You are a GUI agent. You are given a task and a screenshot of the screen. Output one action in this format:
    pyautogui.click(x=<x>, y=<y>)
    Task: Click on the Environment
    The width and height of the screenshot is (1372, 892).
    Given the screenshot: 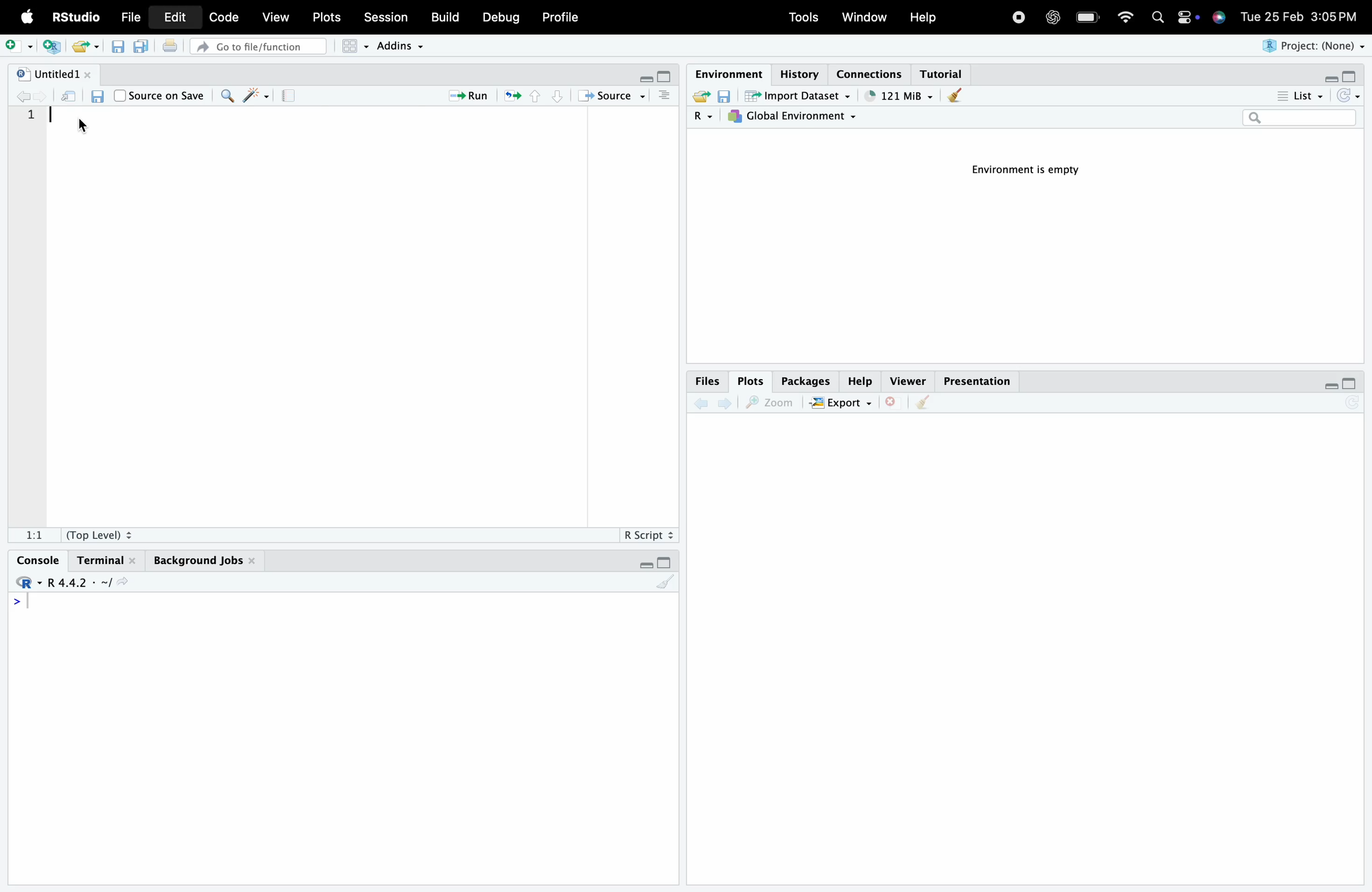 What is the action you would take?
    pyautogui.click(x=728, y=73)
    